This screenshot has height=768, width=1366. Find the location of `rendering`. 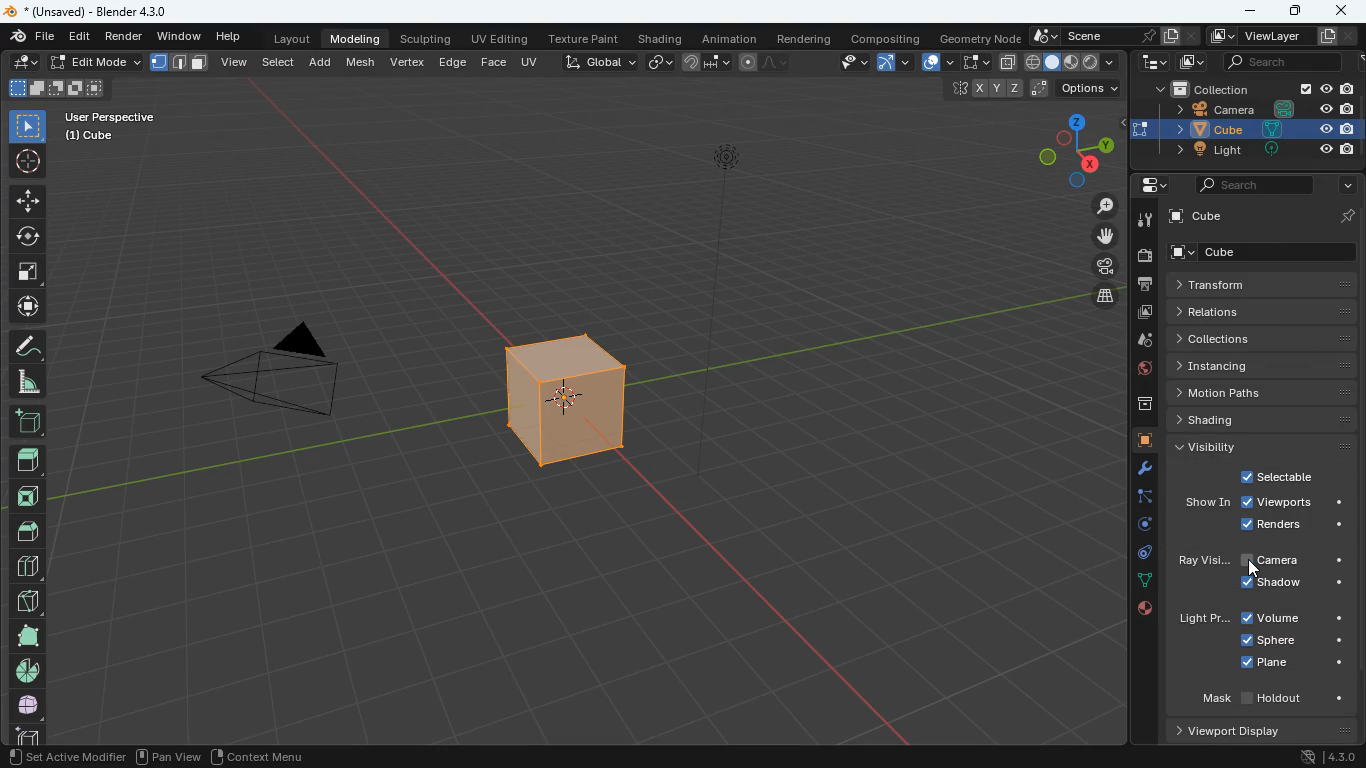

rendering is located at coordinates (806, 39).